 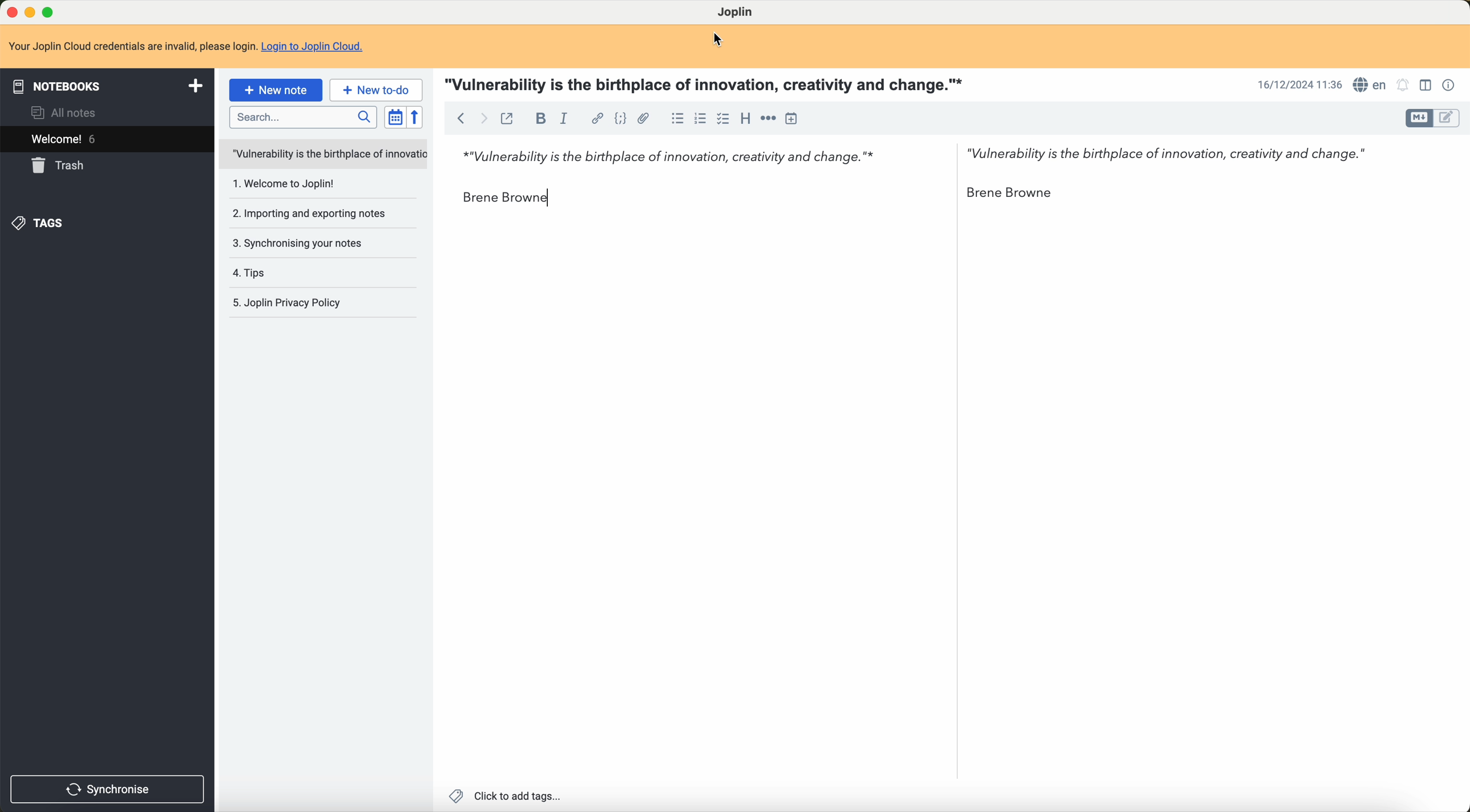 What do you see at coordinates (1370, 84) in the screenshot?
I see `language` at bounding box center [1370, 84].